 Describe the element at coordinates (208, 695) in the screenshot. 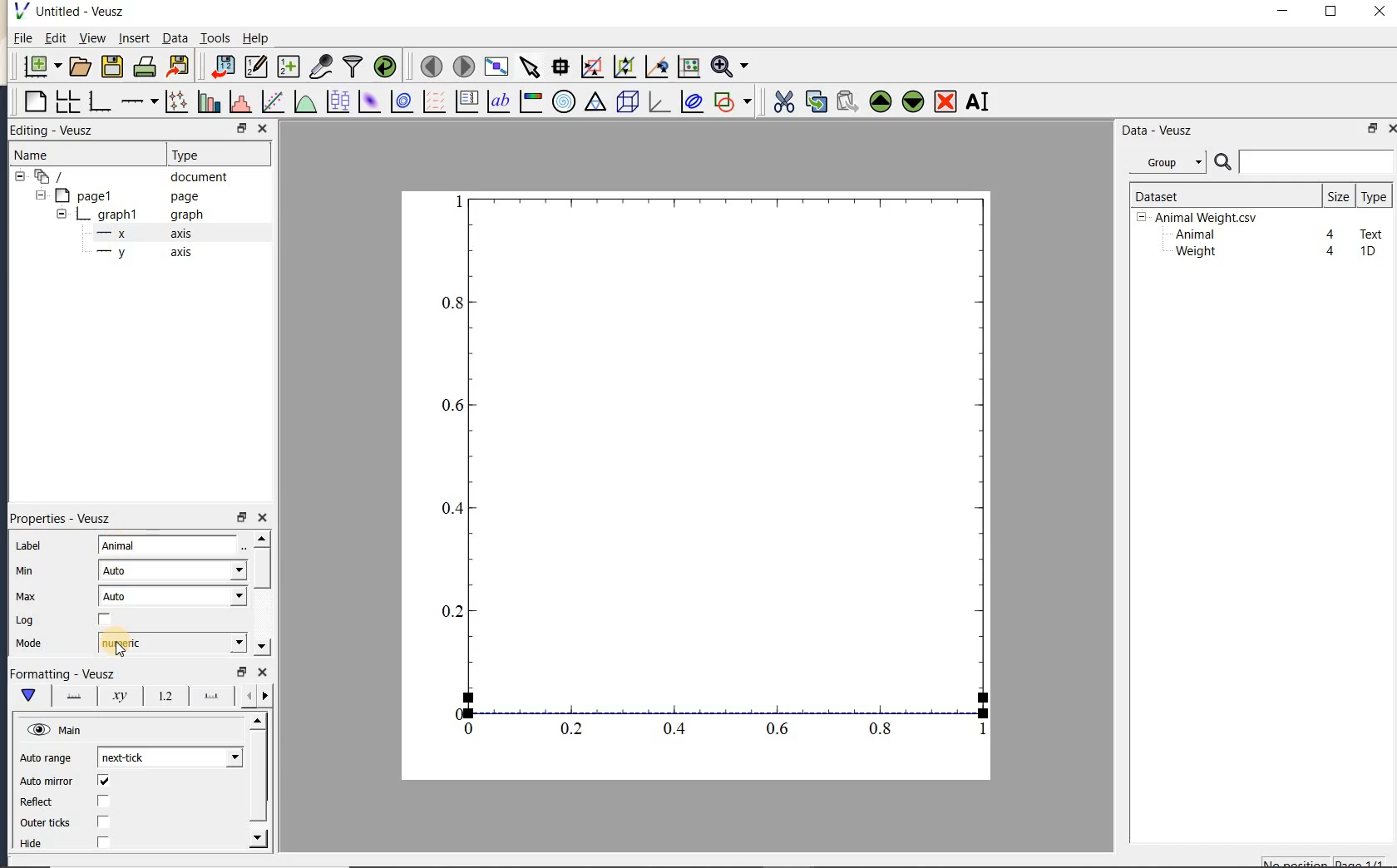

I see `major ticks` at that location.